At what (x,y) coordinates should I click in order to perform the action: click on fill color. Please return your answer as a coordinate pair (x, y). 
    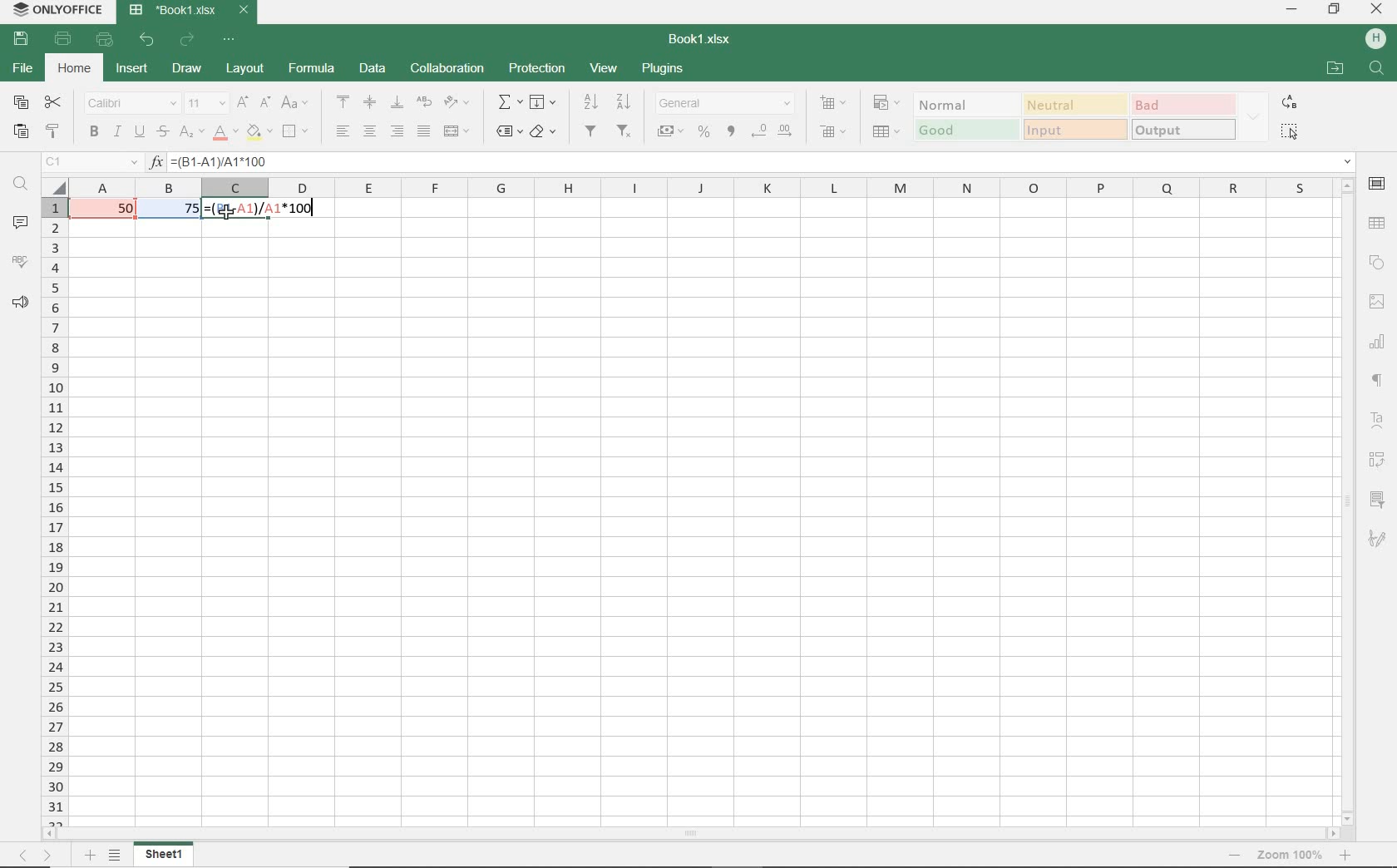
    Looking at the image, I should click on (259, 133).